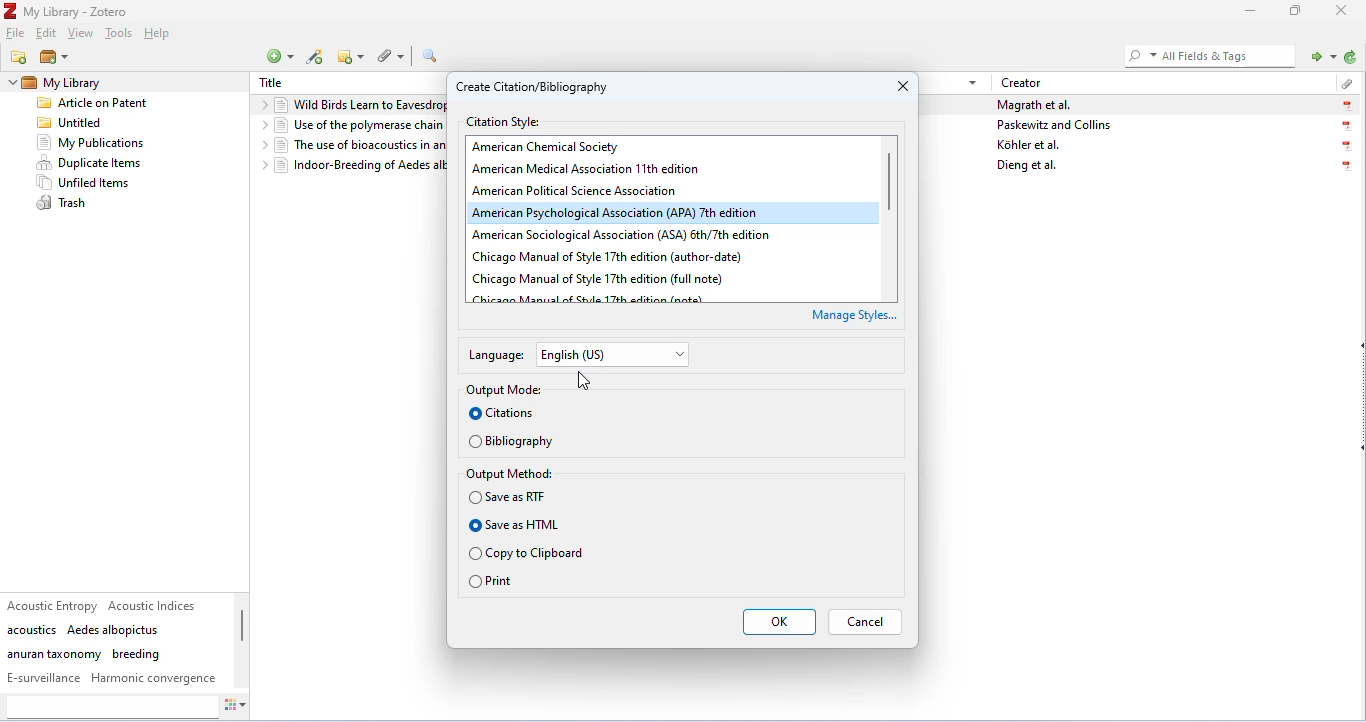 The height and width of the screenshot is (722, 1366). I want to click on american chemical society, so click(555, 147).